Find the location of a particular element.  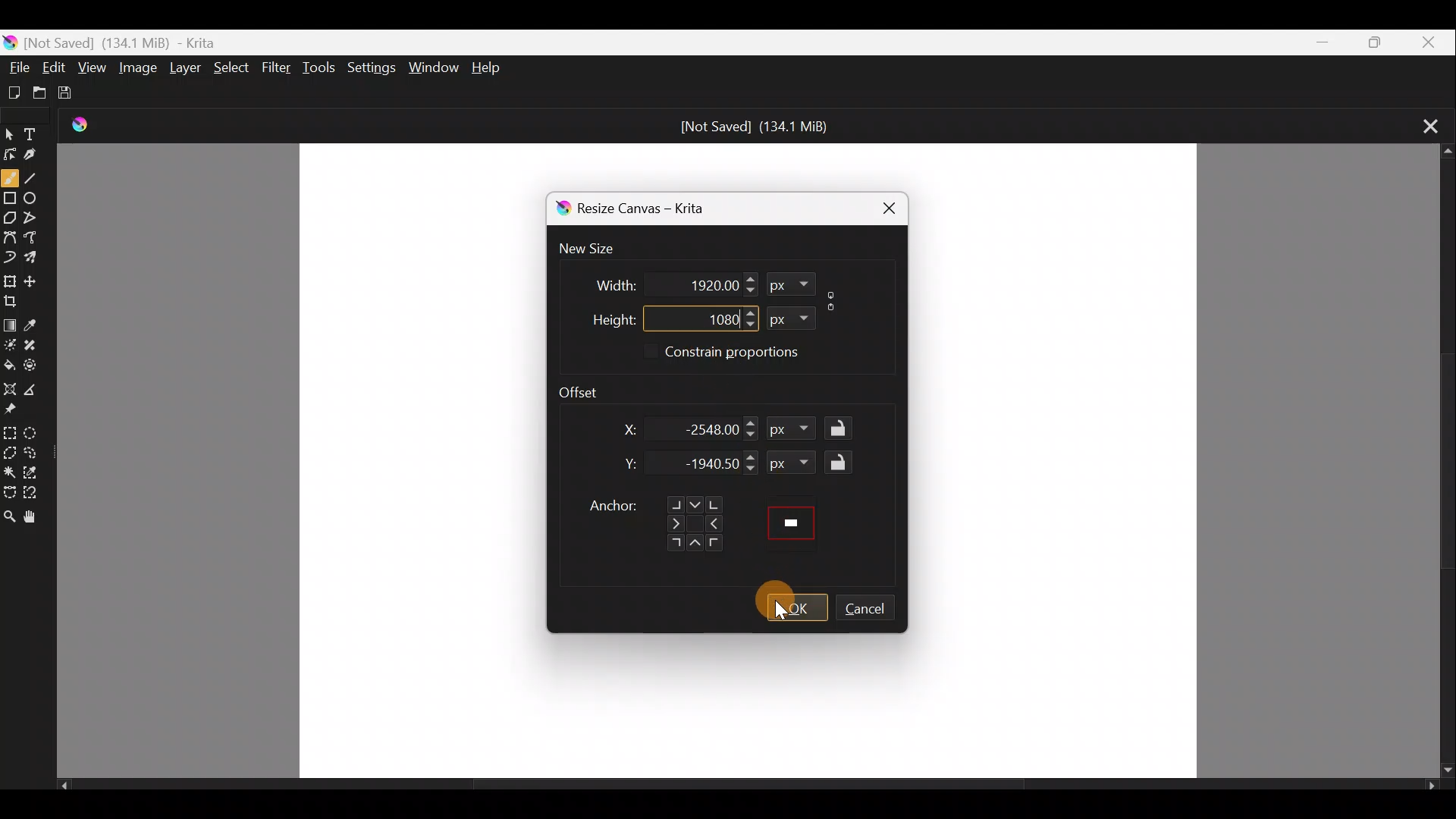

Rectangular selection tool is located at coordinates (12, 432).